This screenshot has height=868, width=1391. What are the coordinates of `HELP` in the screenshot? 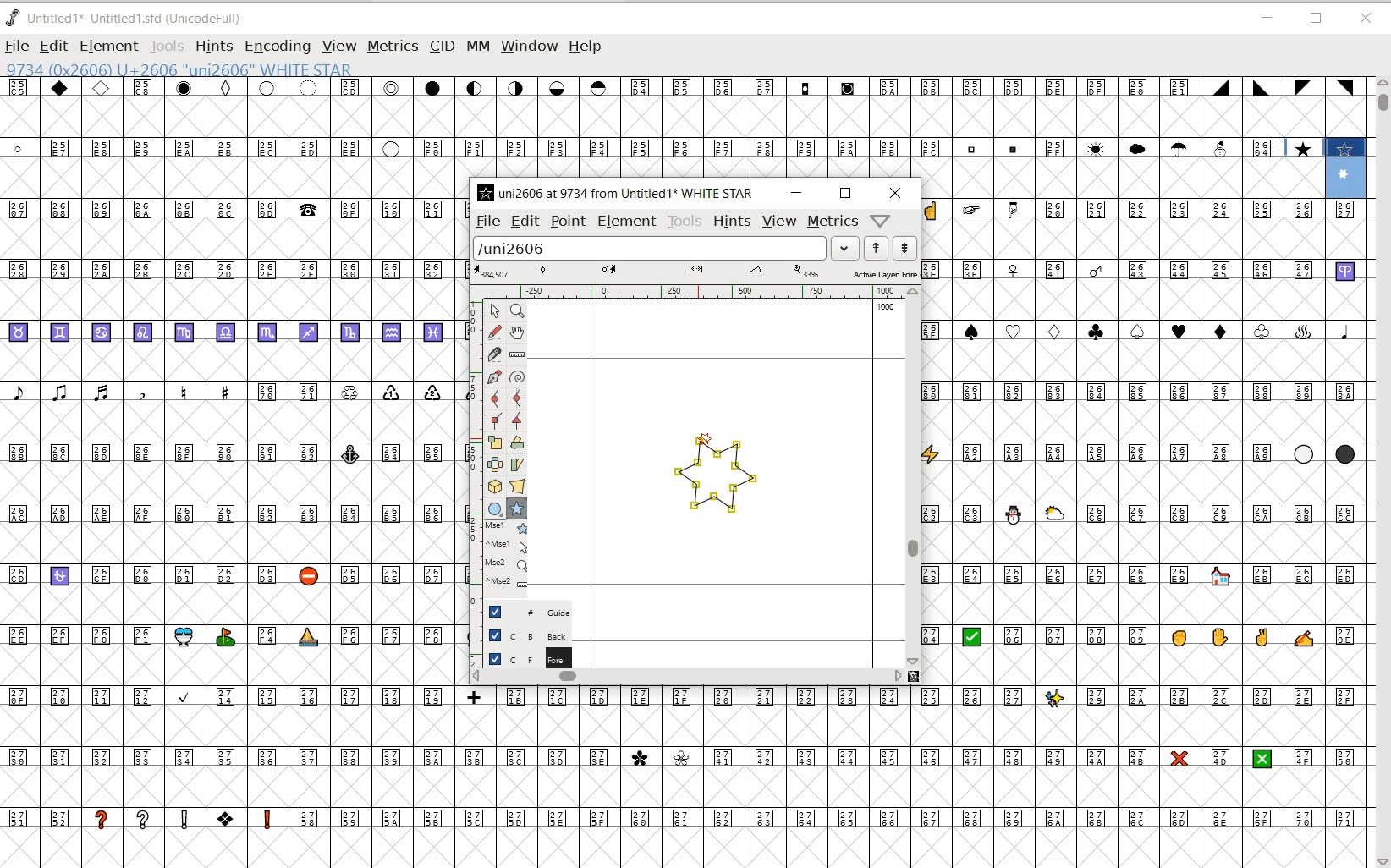 It's located at (587, 47).